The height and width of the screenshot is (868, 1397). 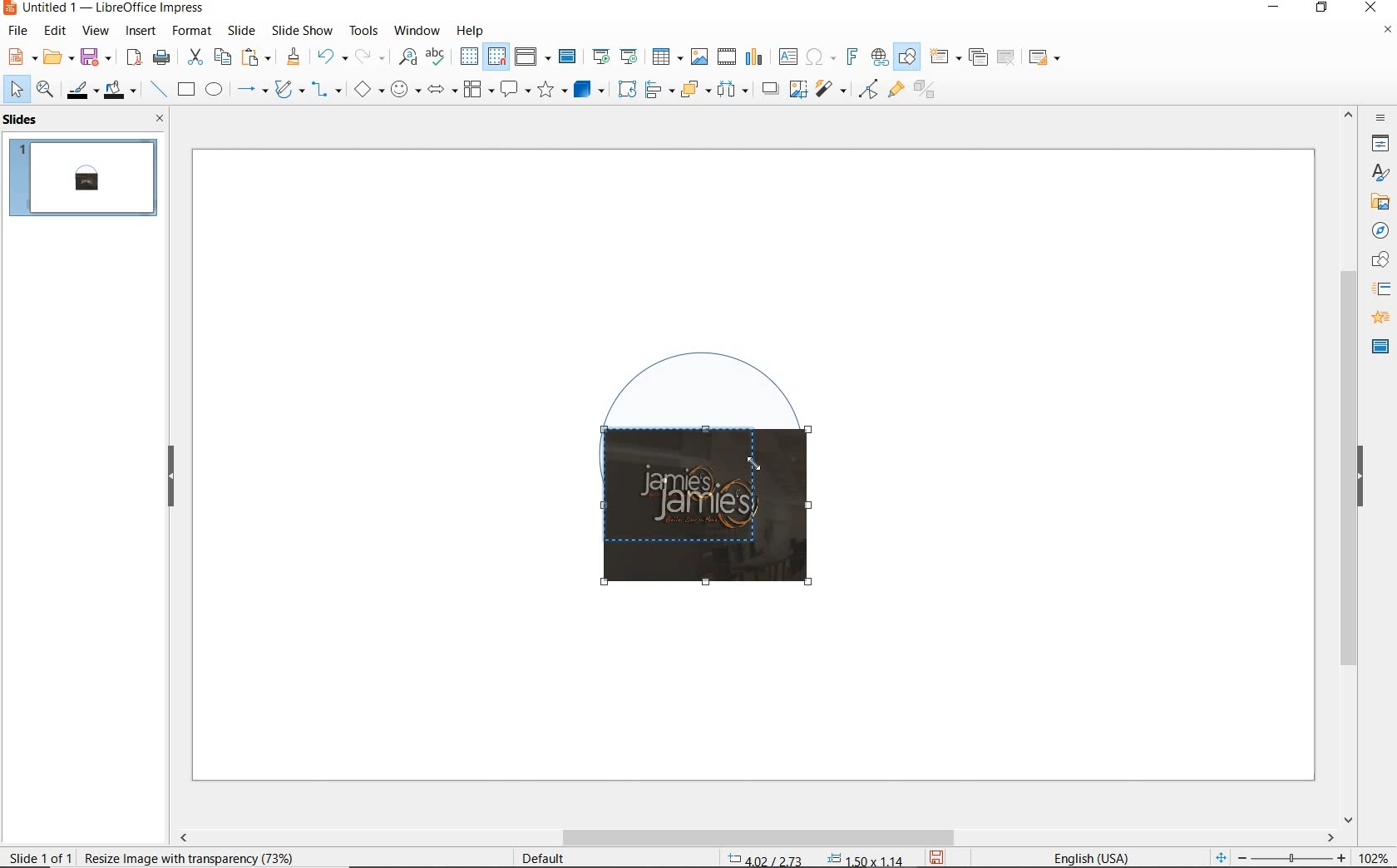 What do you see at coordinates (551, 91) in the screenshot?
I see `stars and banners` at bounding box center [551, 91].